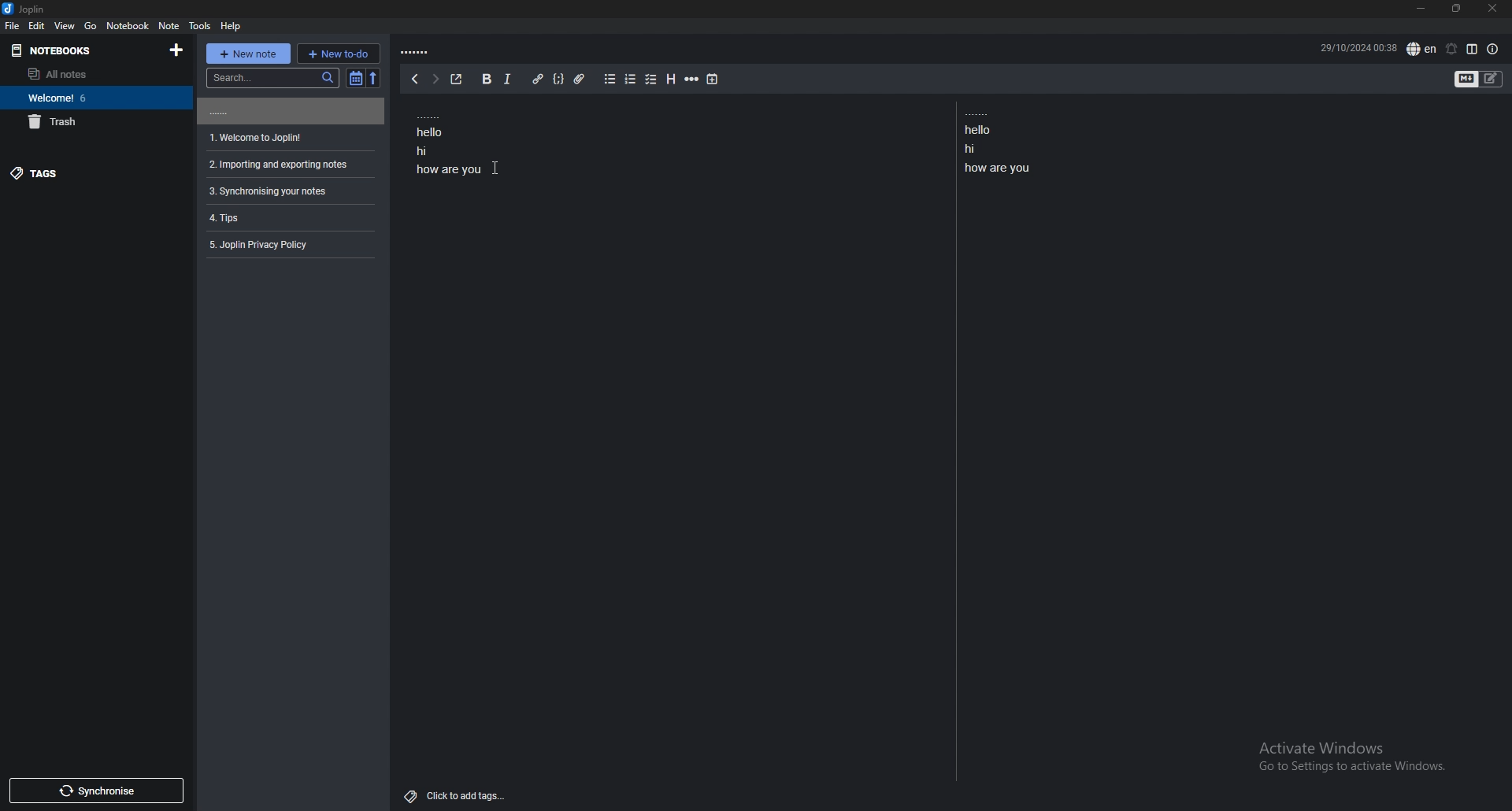  I want to click on horizontal rule, so click(692, 78).